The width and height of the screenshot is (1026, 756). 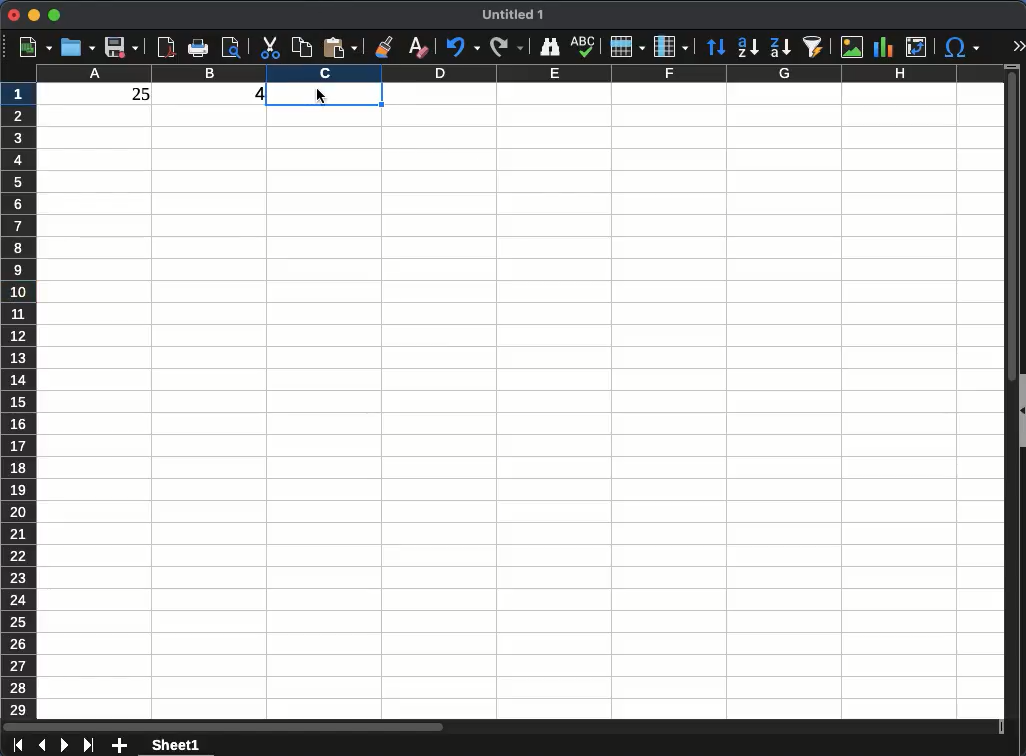 What do you see at coordinates (883, 47) in the screenshot?
I see `chart` at bounding box center [883, 47].